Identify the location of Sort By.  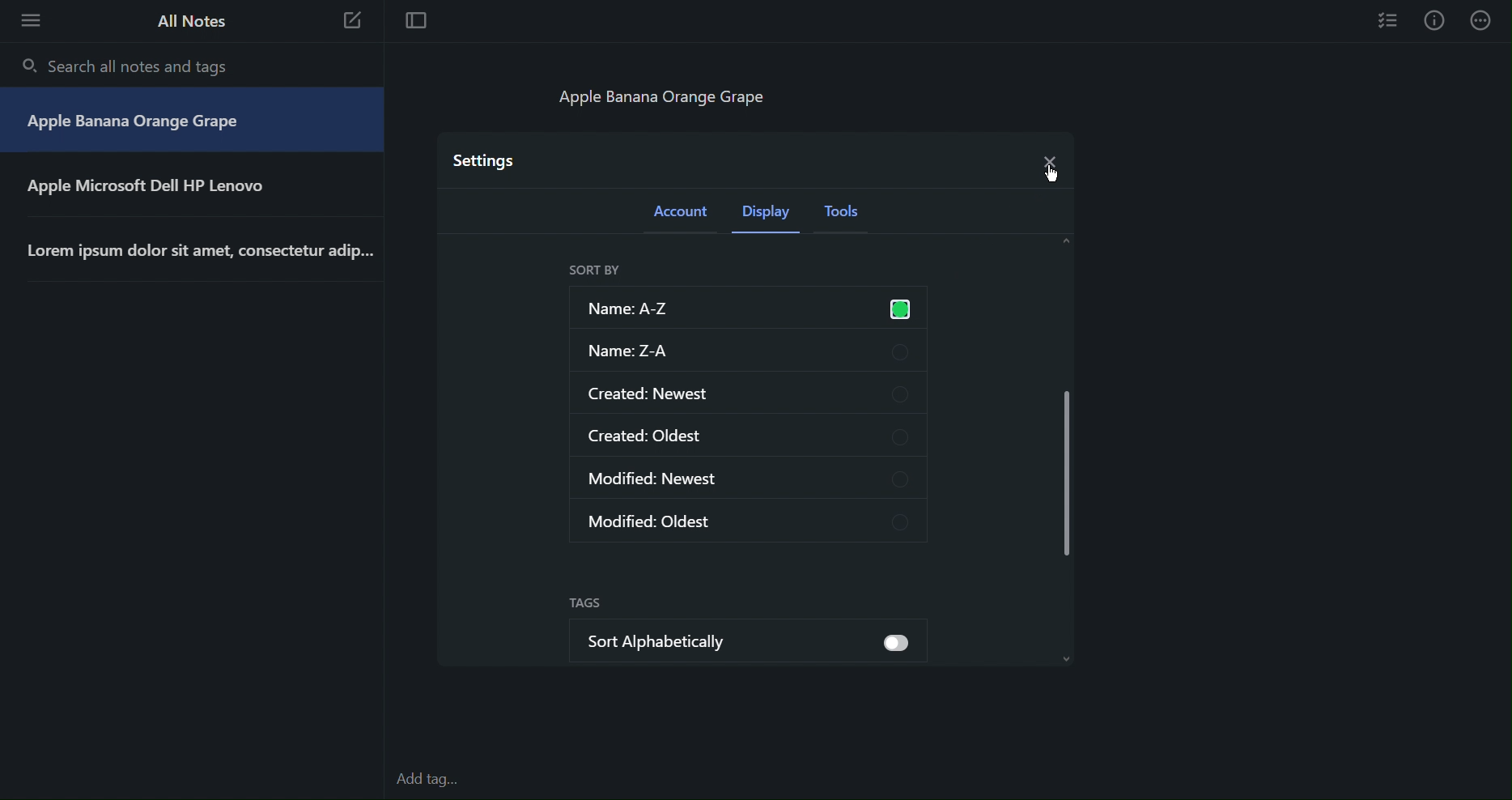
(594, 270).